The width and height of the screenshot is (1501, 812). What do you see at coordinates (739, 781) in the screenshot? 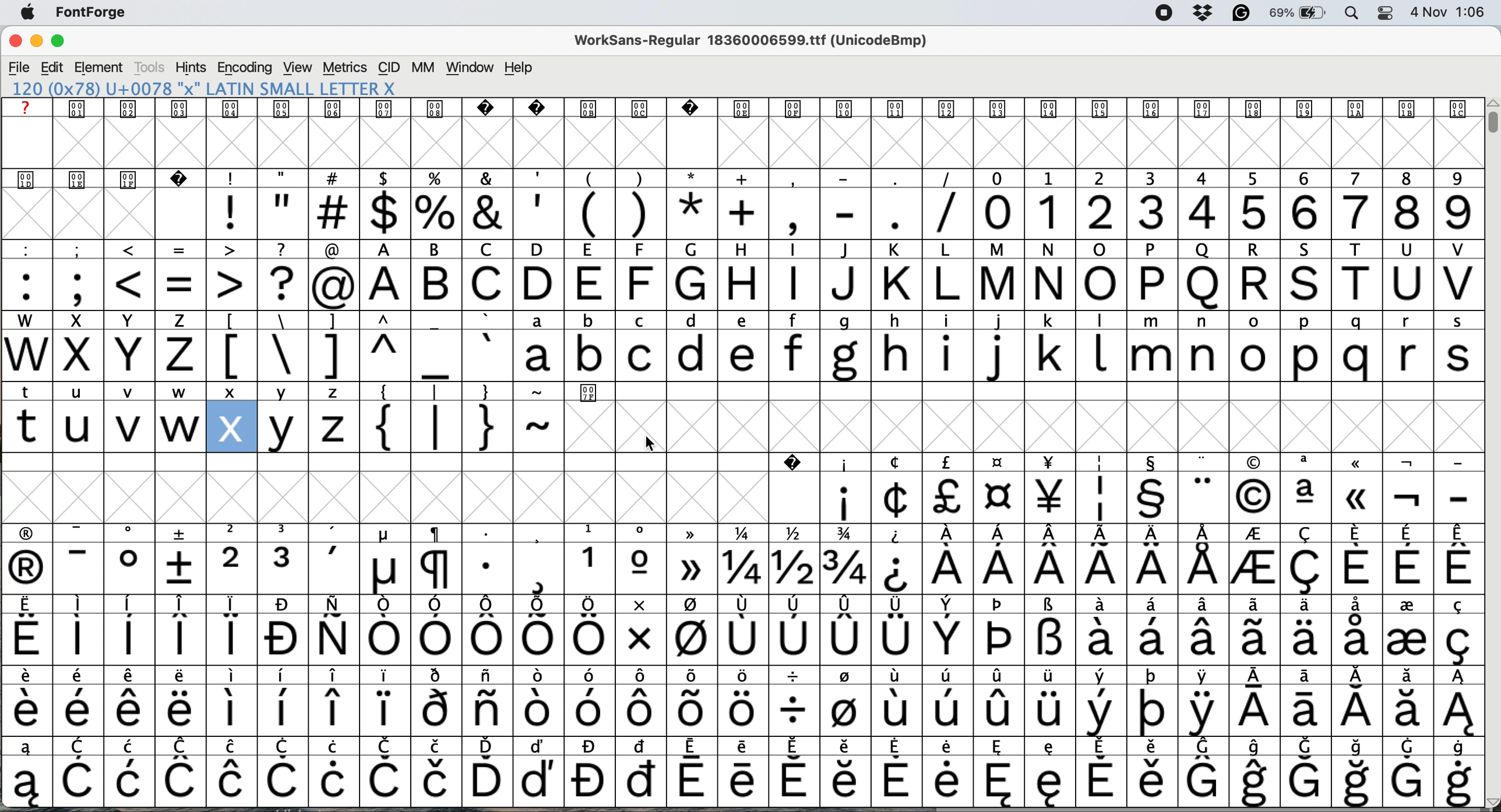
I see `special characters` at bounding box center [739, 781].